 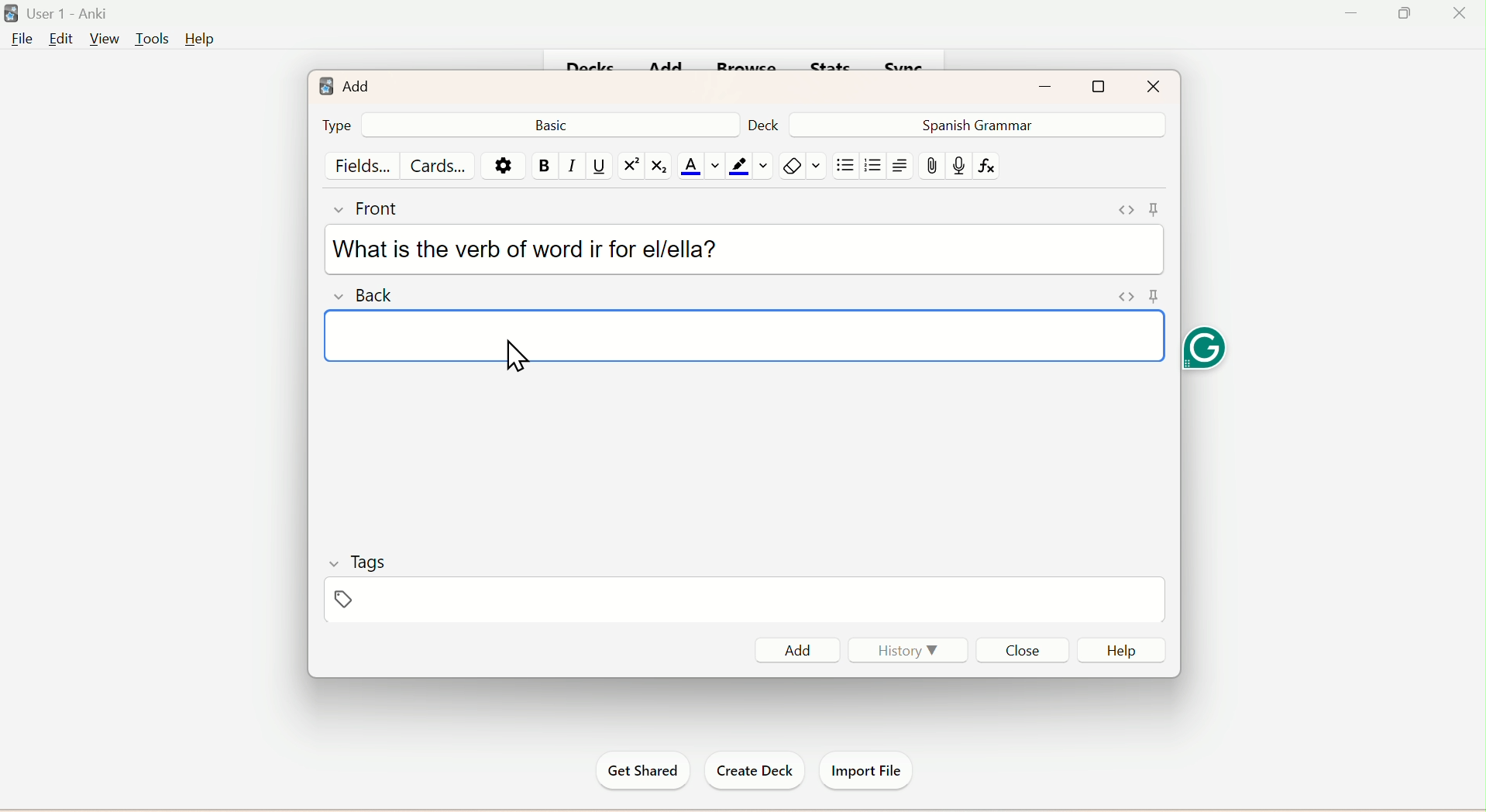 What do you see at coordinates (699, 167) in the screenshot?
I see `Text Color` at bounding box center [699, 167].